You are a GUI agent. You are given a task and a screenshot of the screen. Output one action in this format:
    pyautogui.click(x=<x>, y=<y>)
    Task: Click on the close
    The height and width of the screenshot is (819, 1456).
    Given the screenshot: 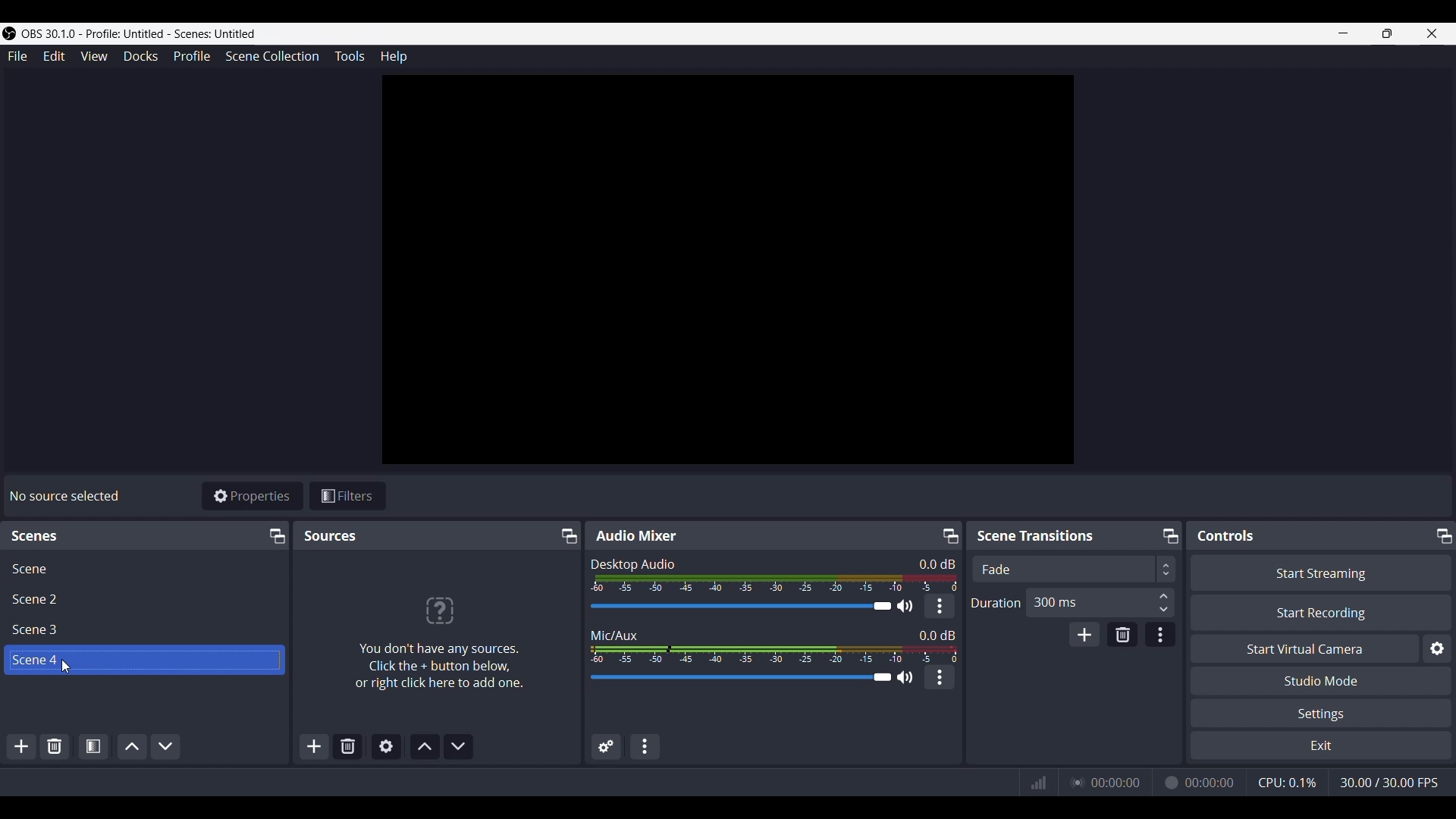 What is the action you would take?
    pyautogui.click(x=1432, y=33)
    